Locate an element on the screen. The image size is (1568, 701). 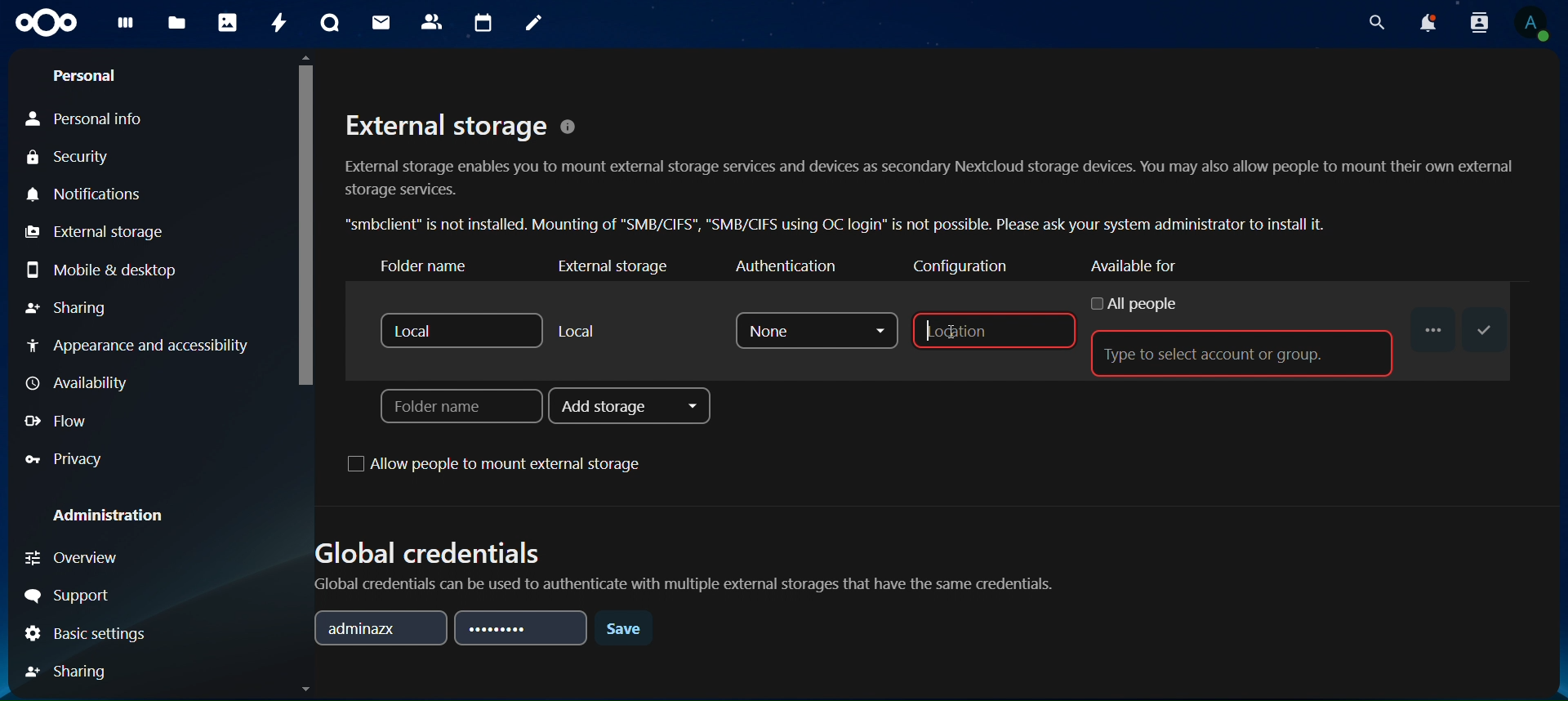
sharing is located at coordinates (69, 308).